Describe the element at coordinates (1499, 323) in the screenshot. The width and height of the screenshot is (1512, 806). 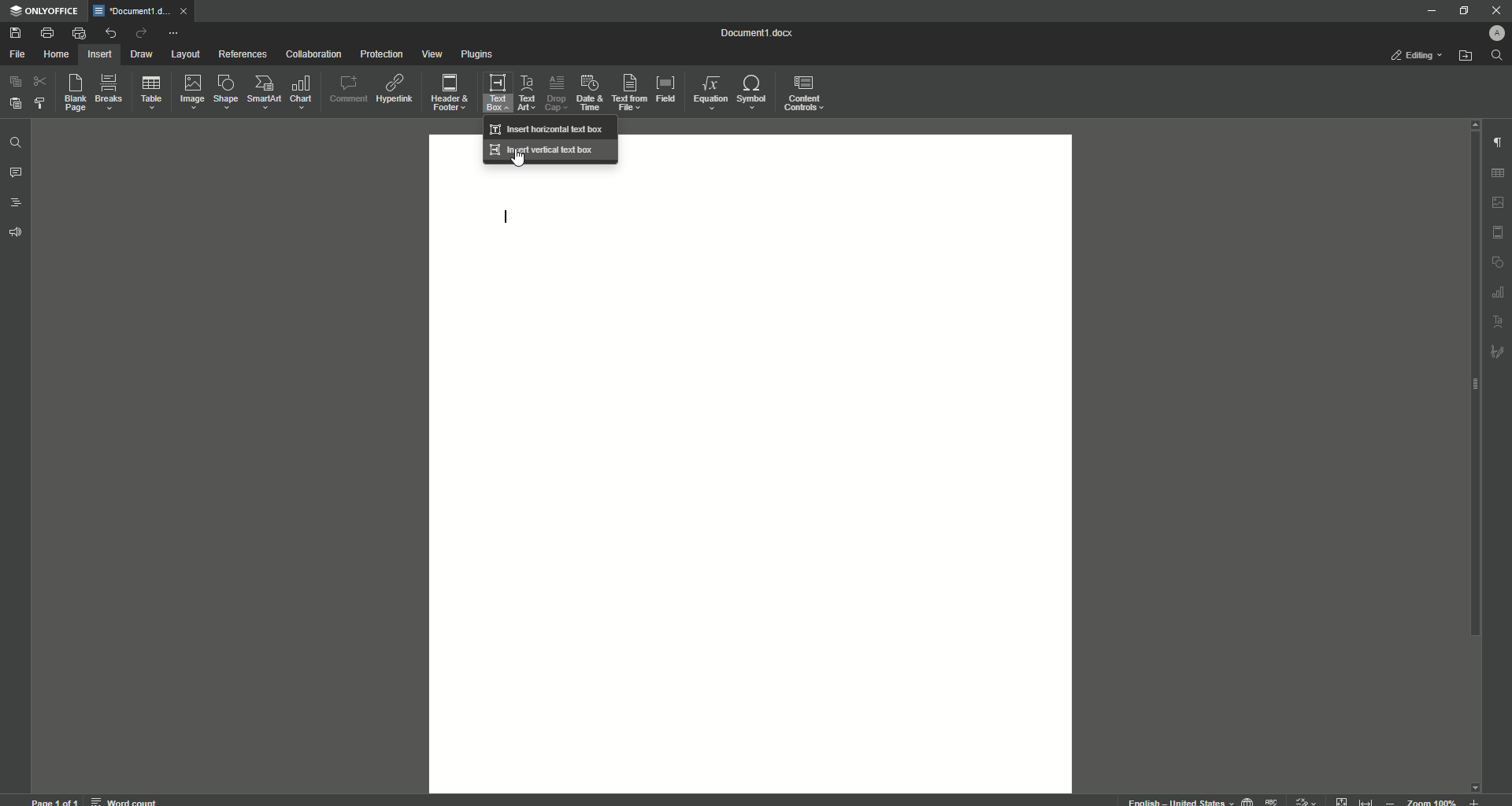
I see `text art` at that location.